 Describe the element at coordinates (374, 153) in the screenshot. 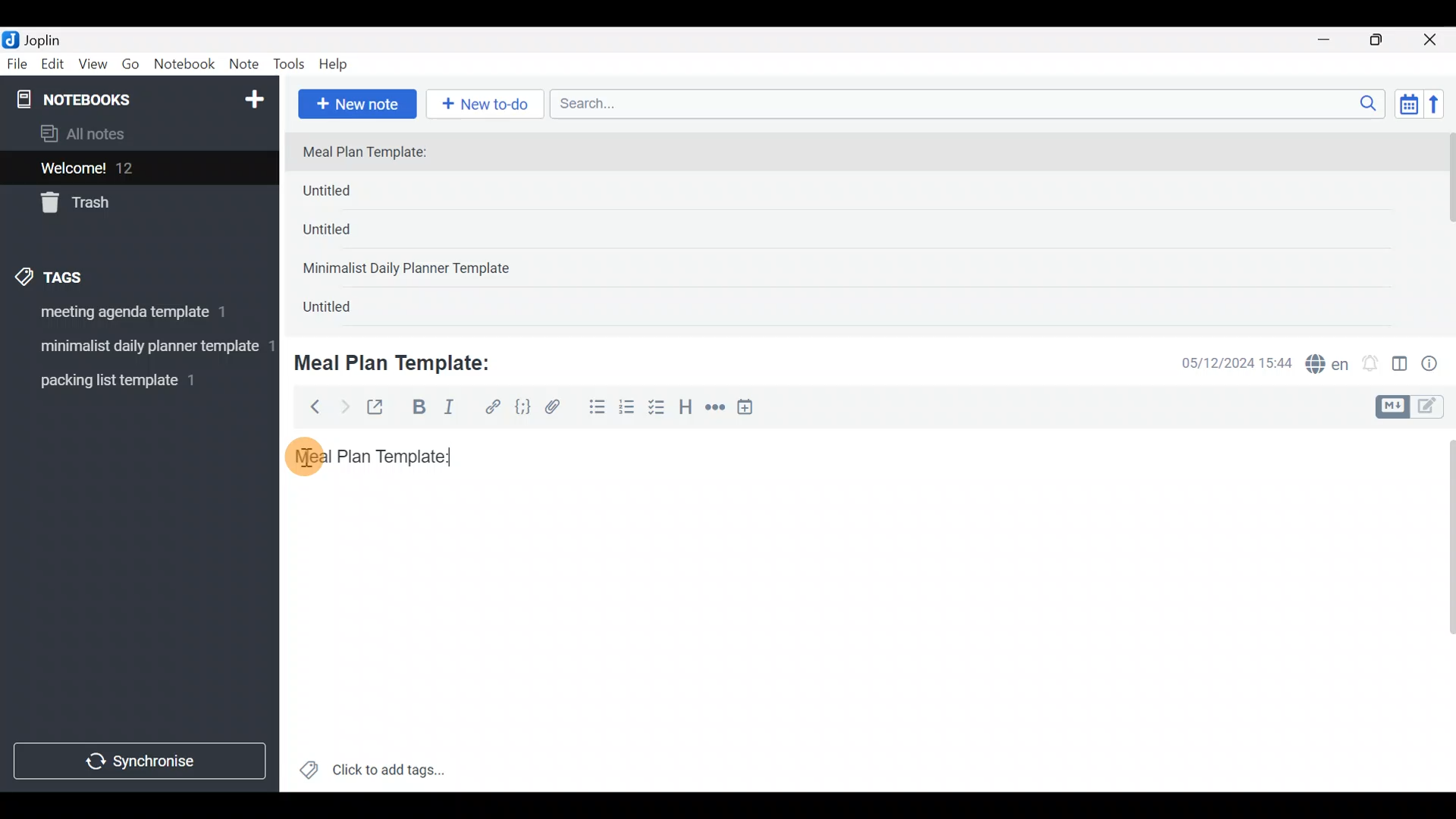

I see `Meal Plan Template:` at that location.